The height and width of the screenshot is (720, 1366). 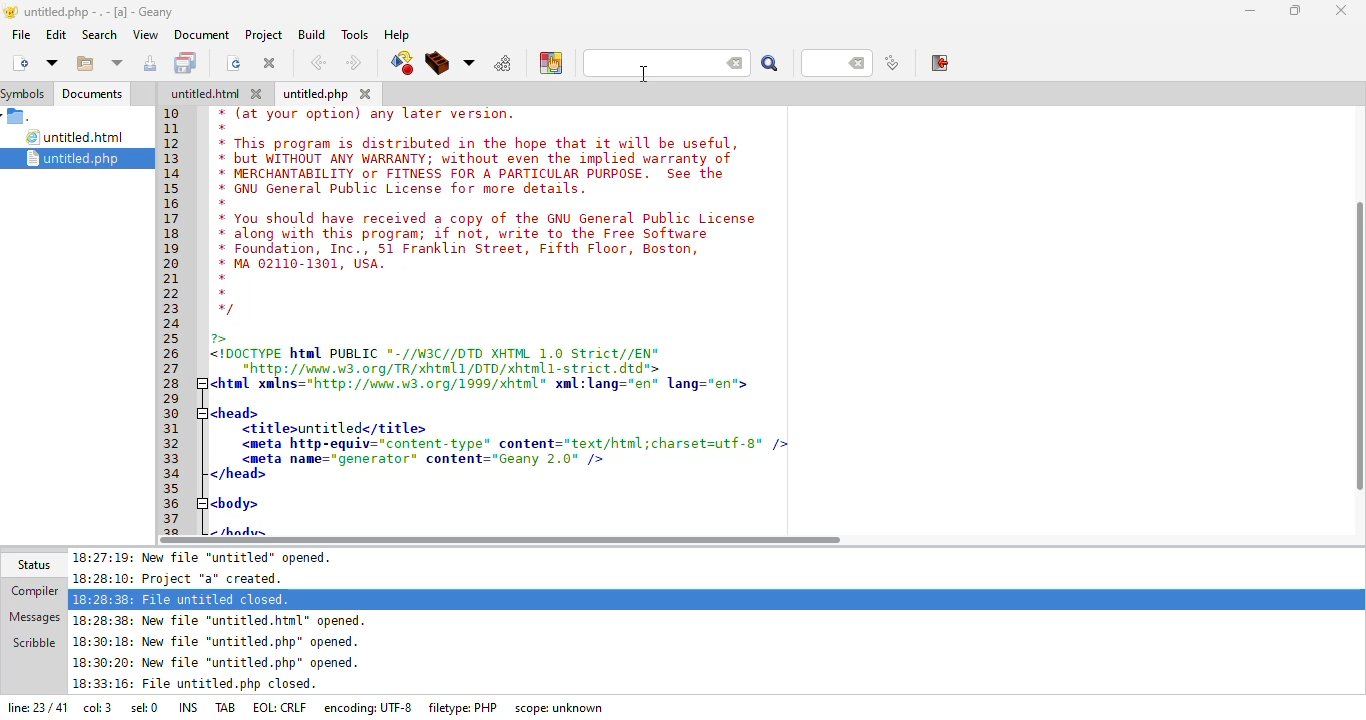 What do you see at coordinates (174, 174) in the screenshot?
I see `14` at bounding box center [174, 174].